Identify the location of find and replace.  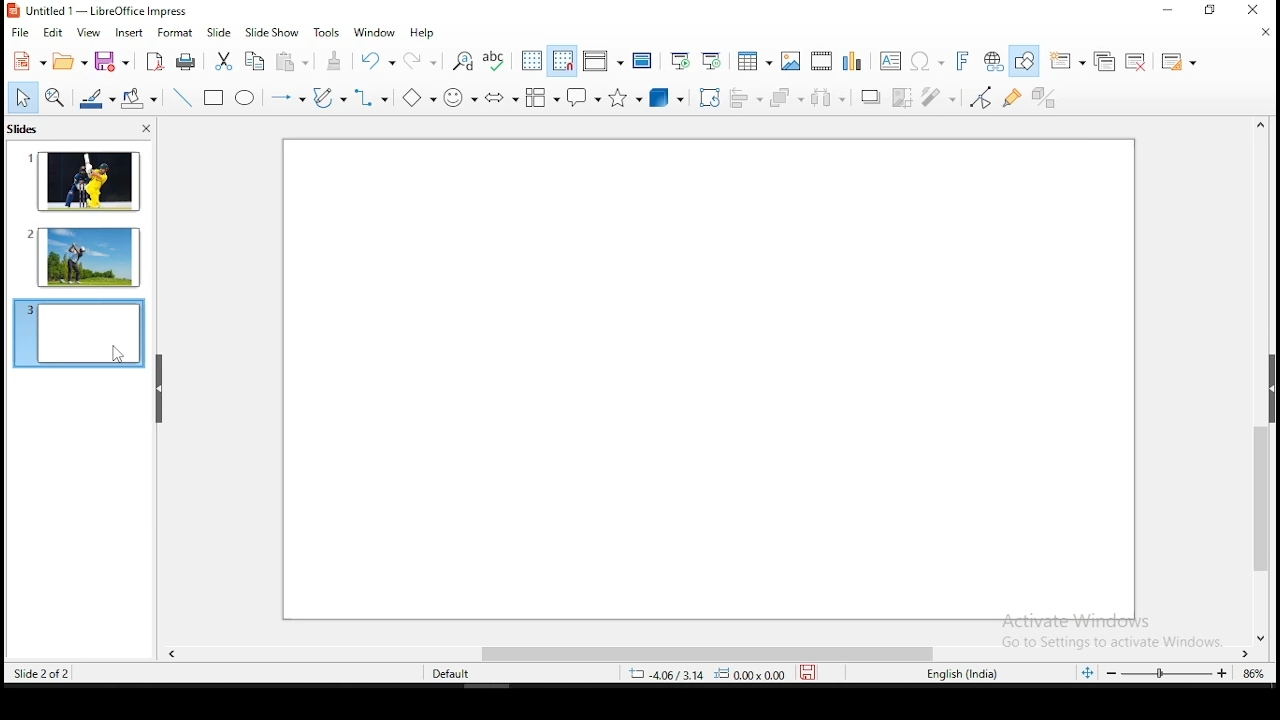
(463, 62).